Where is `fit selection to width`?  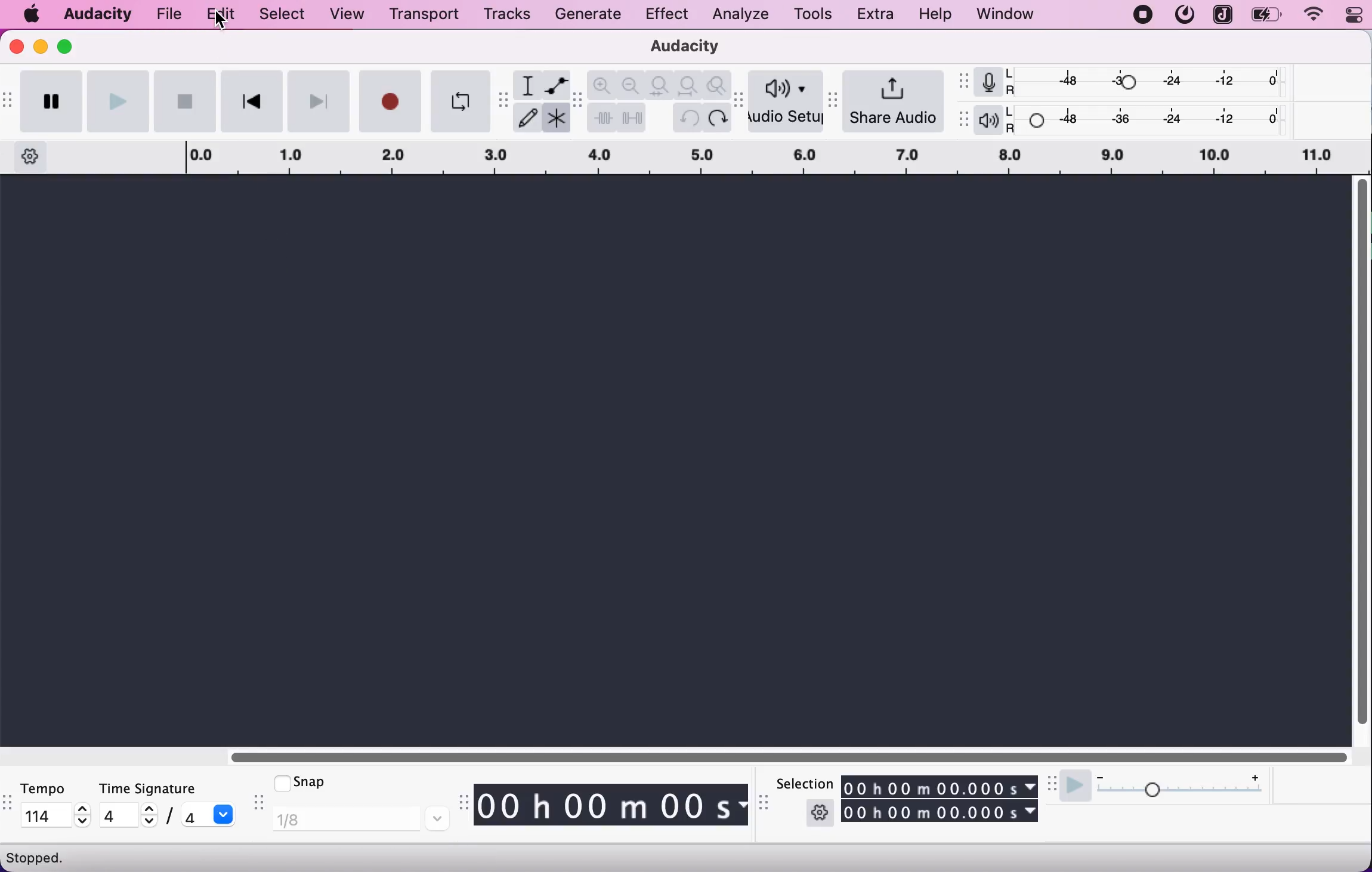 fit selection to width is located at coordinates (661, 84).